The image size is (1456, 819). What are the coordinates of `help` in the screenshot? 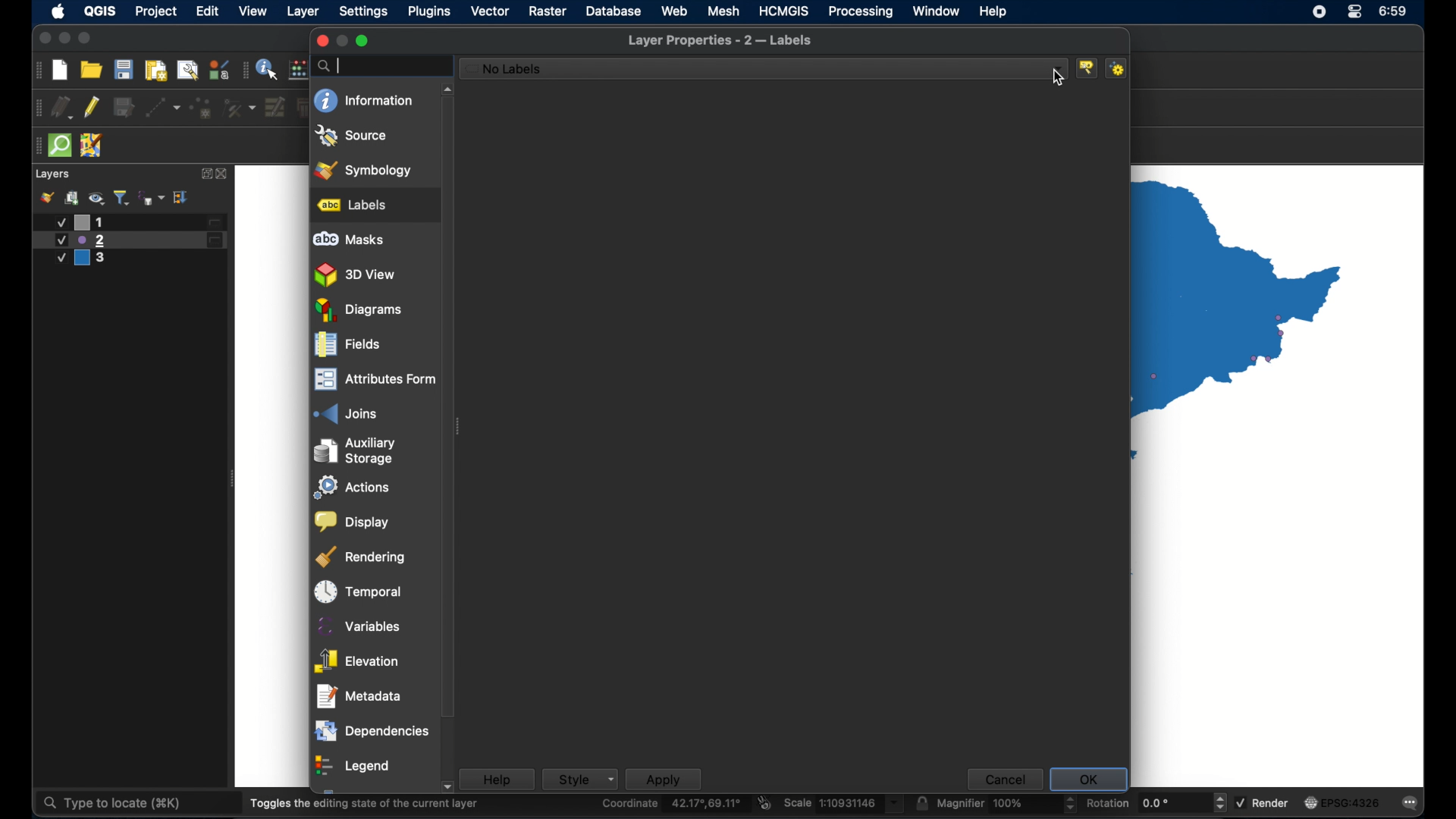 It's located at (497, 779).